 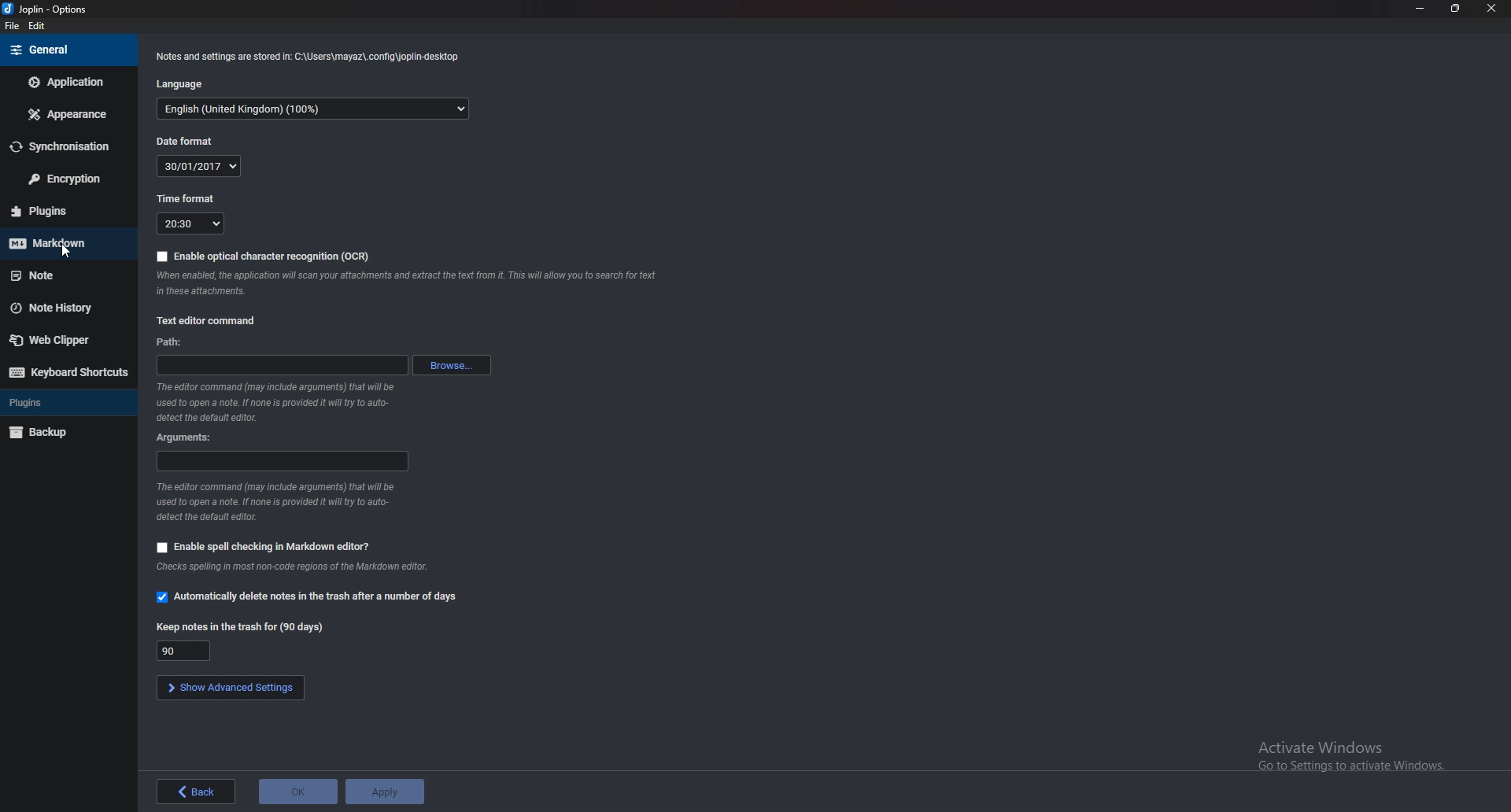 I want to click on The editor command (may include arguments) that will be used to open a note. If none is provided it will try to auto-detect the default editor., so click(x=286, y=501).